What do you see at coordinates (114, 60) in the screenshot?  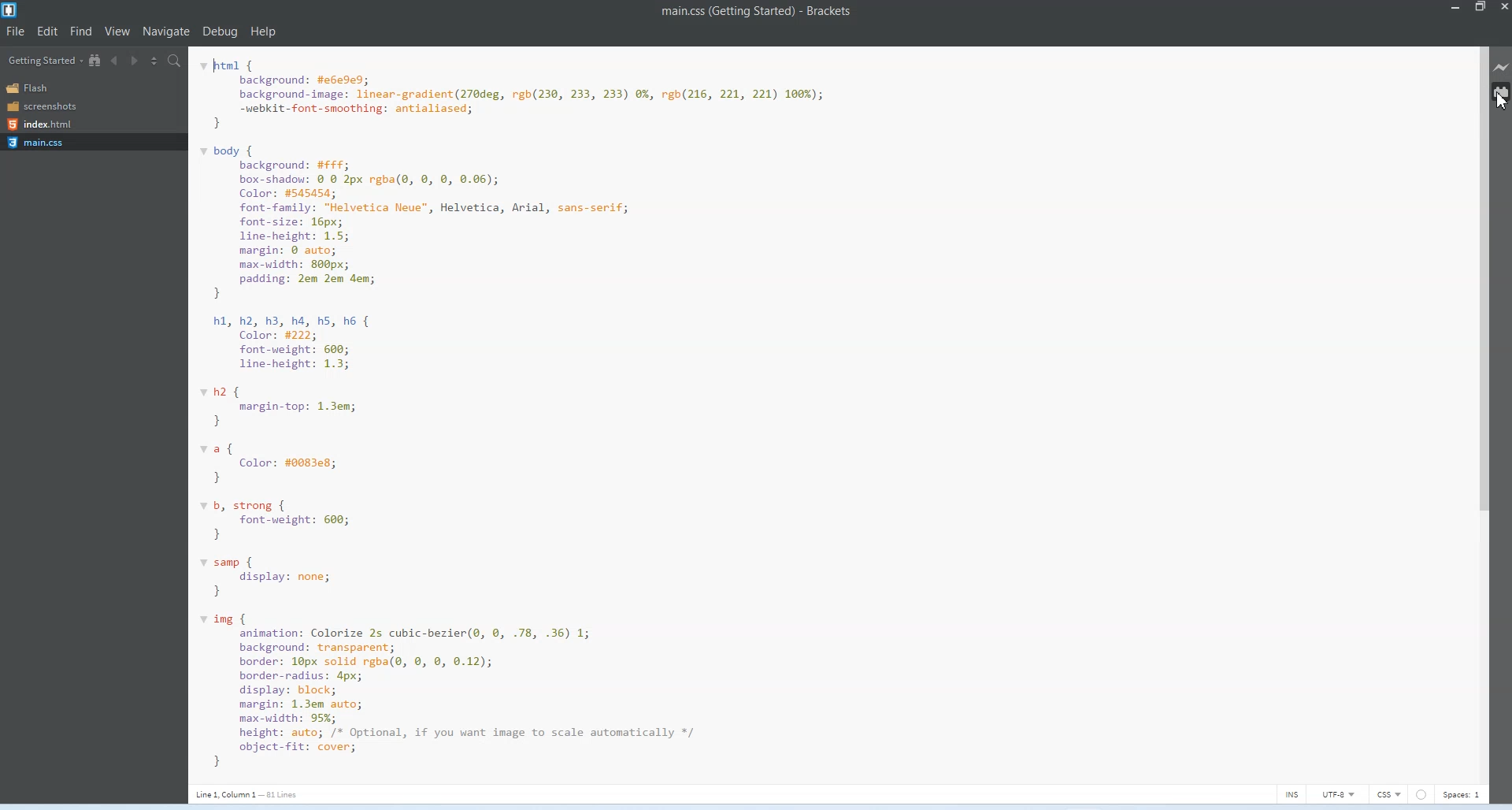 I see `Navigate Backwards ` at bounding box center [114, 60].